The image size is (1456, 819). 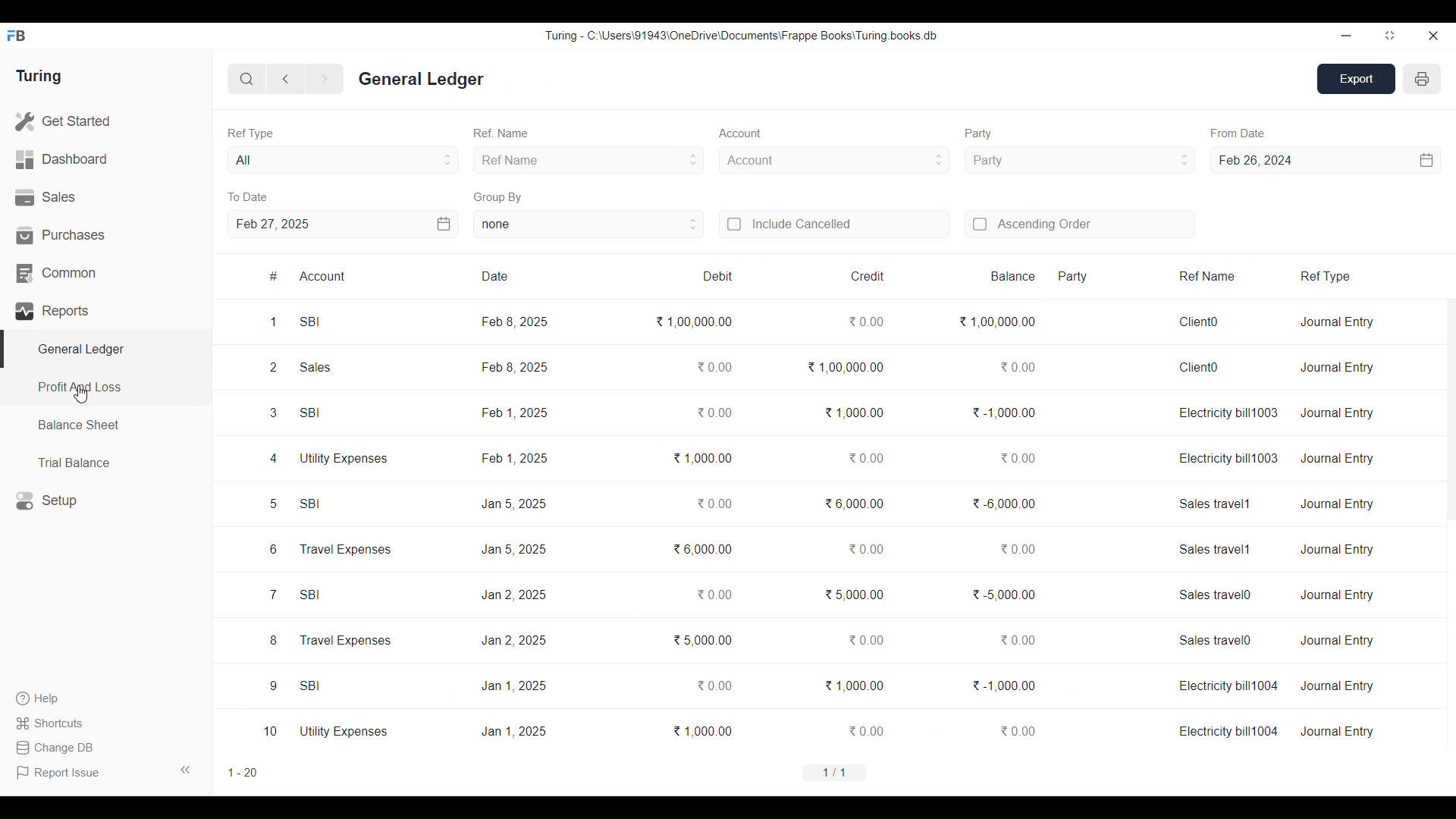 I want to click on Sales travel1, so click(x=1216, y=504).